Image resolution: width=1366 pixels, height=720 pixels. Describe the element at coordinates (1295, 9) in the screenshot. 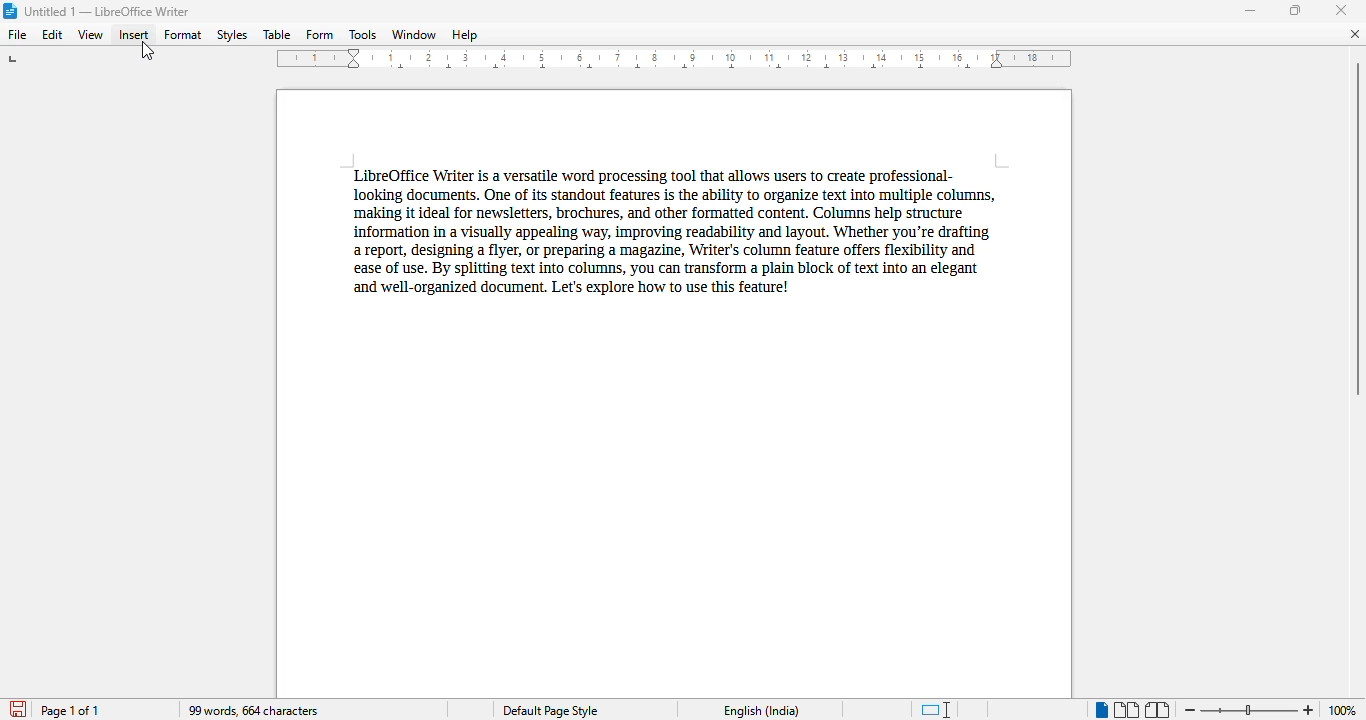

I see `maximize` at that location.